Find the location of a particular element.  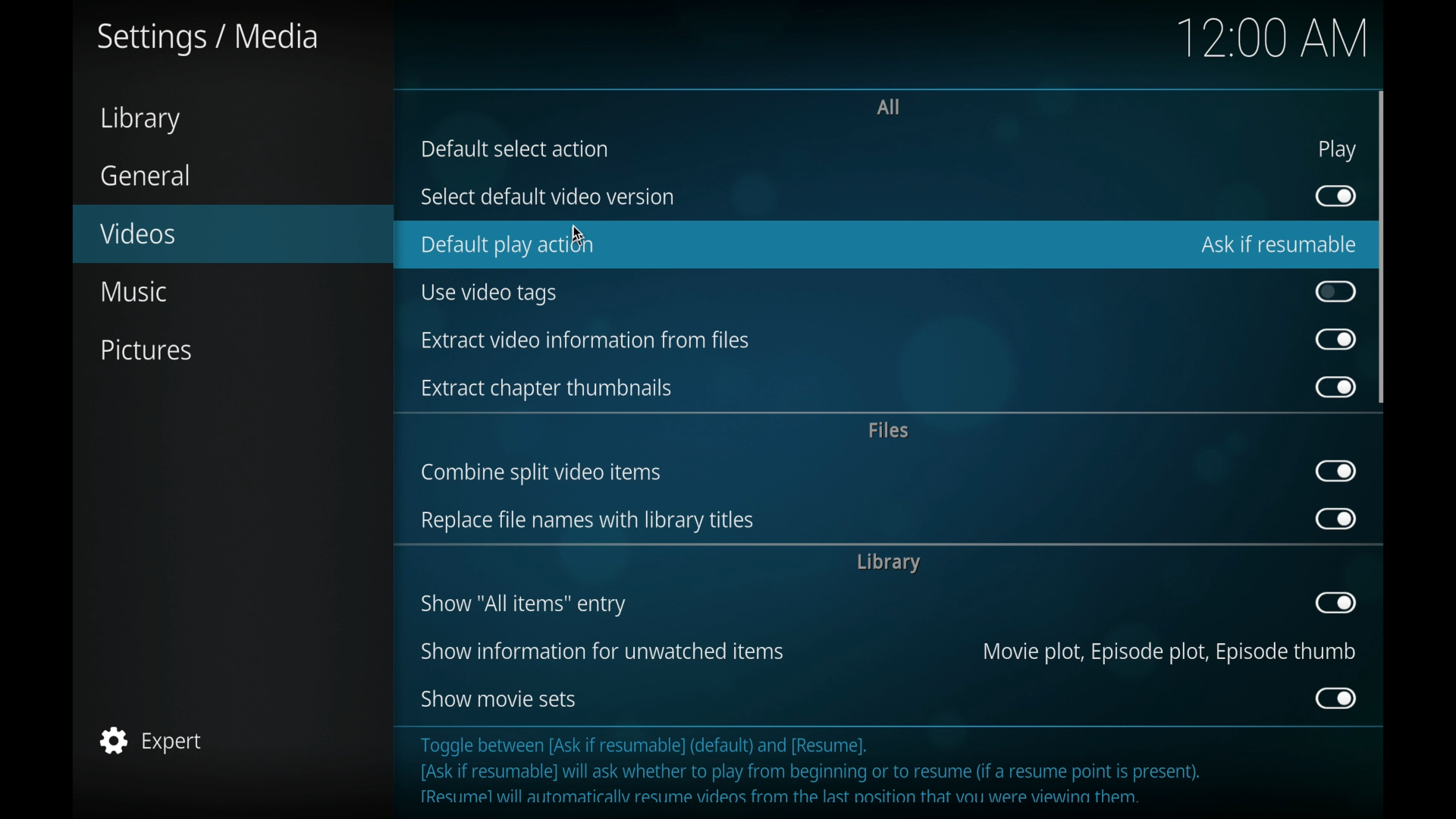

general is located at coordinates (146, 175).